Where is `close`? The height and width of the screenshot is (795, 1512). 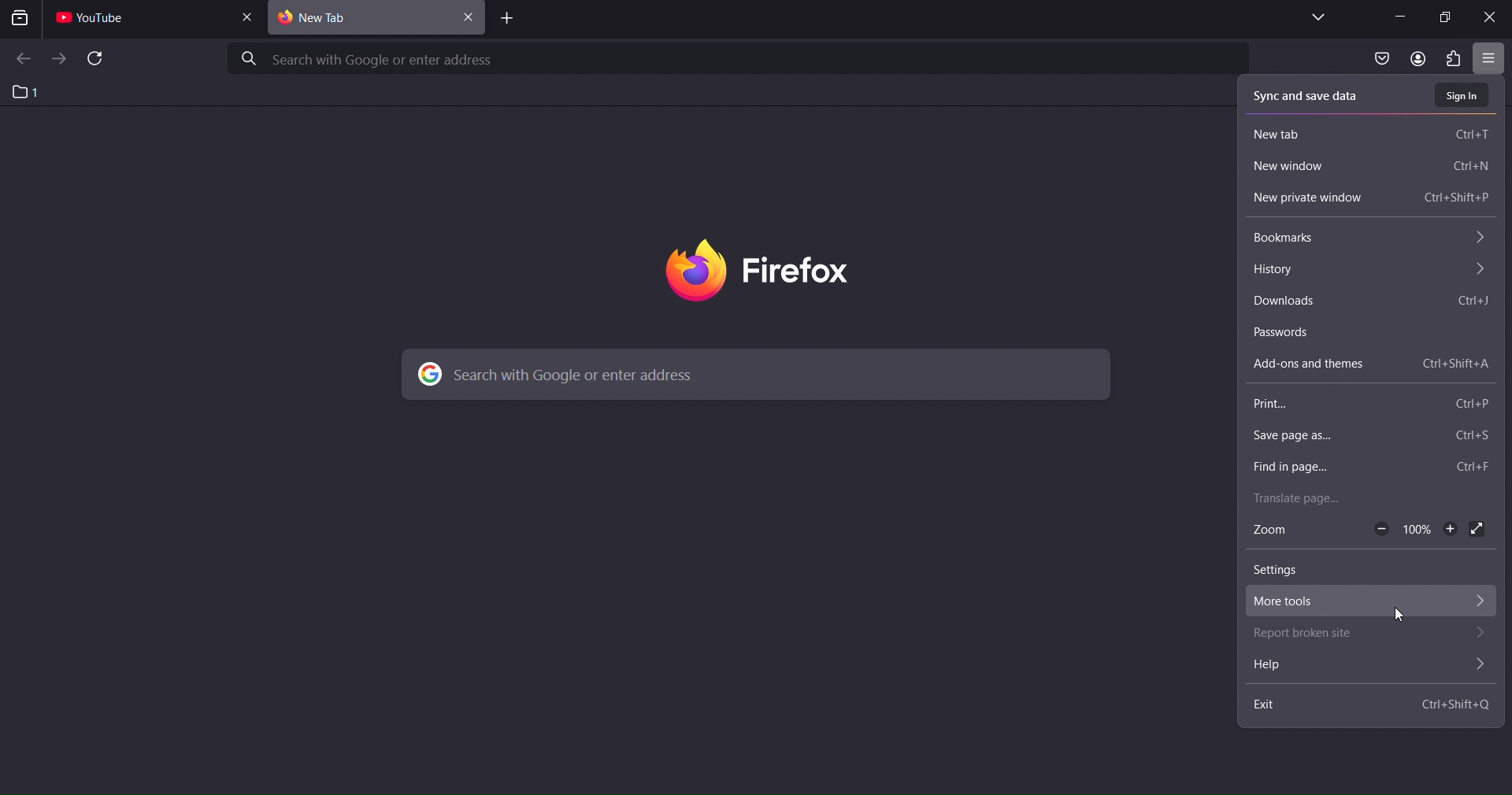
close is located at coordinates (470, 20).